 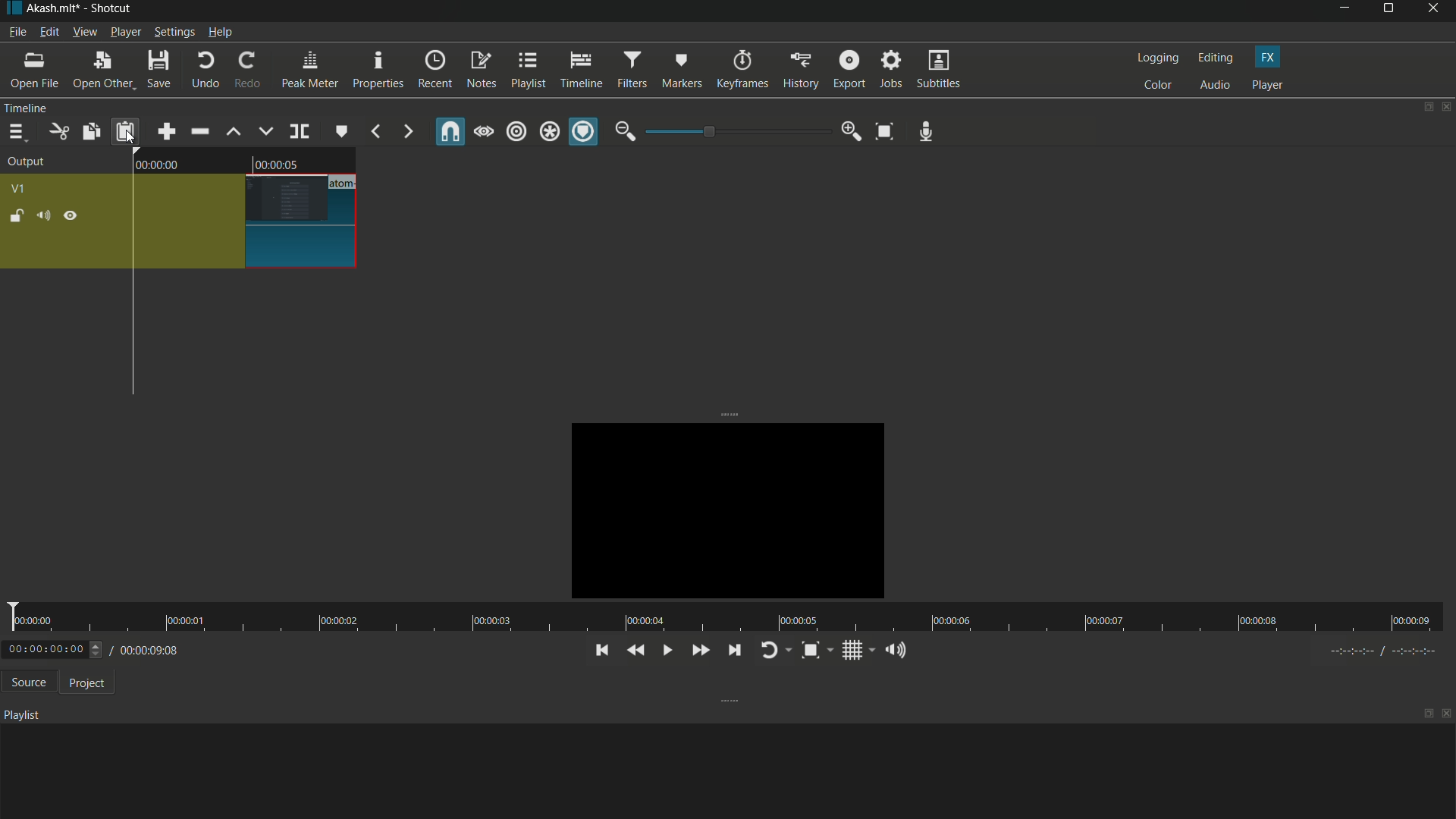 What do you see at coordinates (1428, 714) in the screenshot?
I see `maximize` at bounding box center [1428, 714].